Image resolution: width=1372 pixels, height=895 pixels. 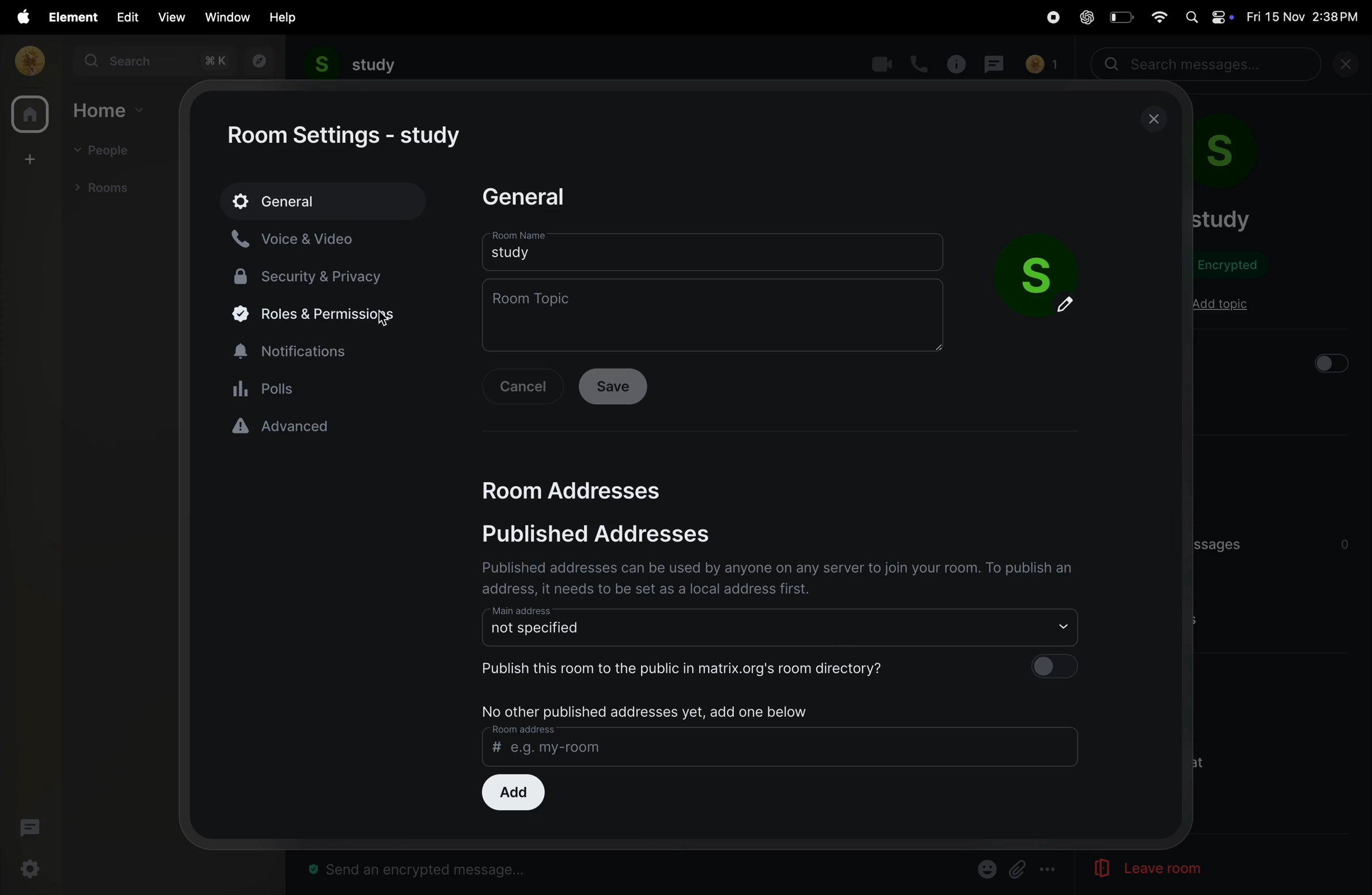 What do you see at coordinates (107, 186) in the screenshot?
I see `rooms` at bounding box center [107, 186].